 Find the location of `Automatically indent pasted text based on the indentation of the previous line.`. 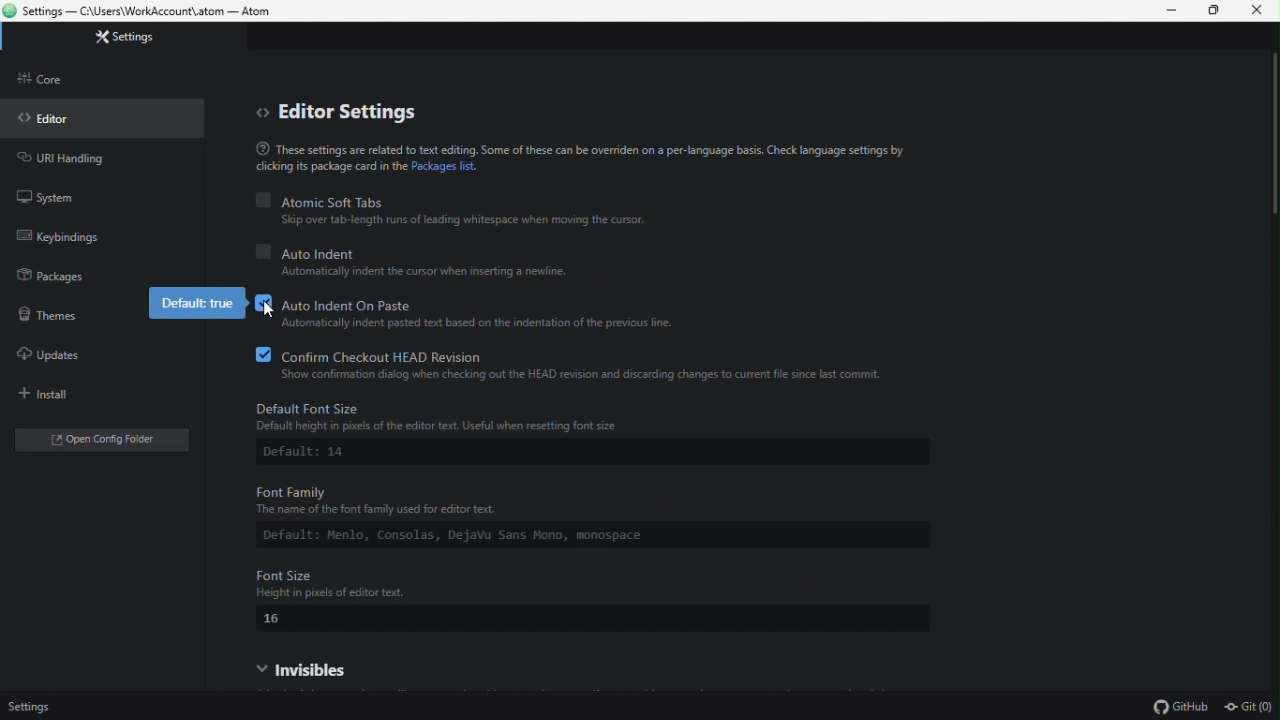

Automatically indent pasted text based on the indentation of the previous line. is located at coordinates (481, 323).